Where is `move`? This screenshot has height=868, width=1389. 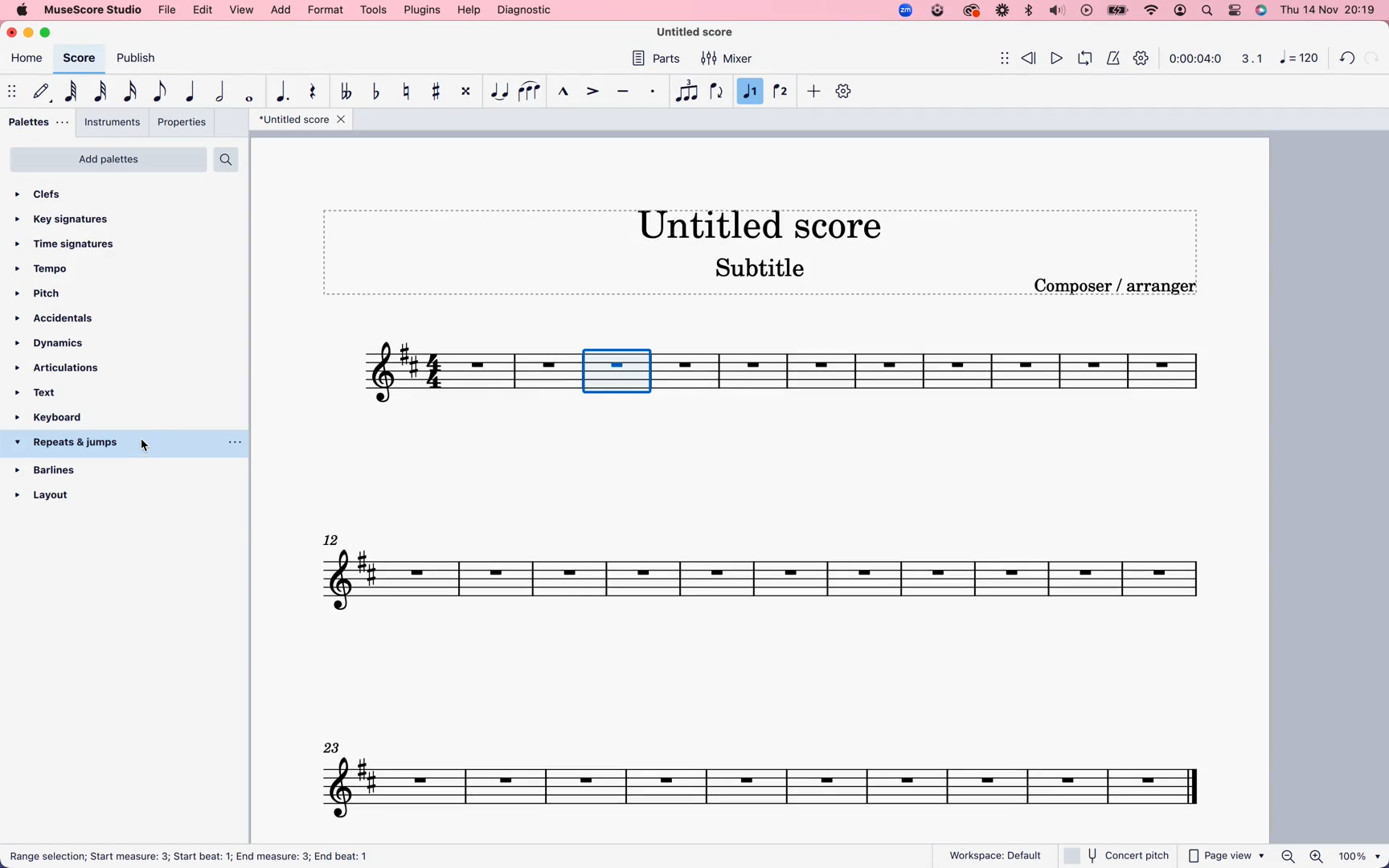 move is located at coordinates (11, 88).